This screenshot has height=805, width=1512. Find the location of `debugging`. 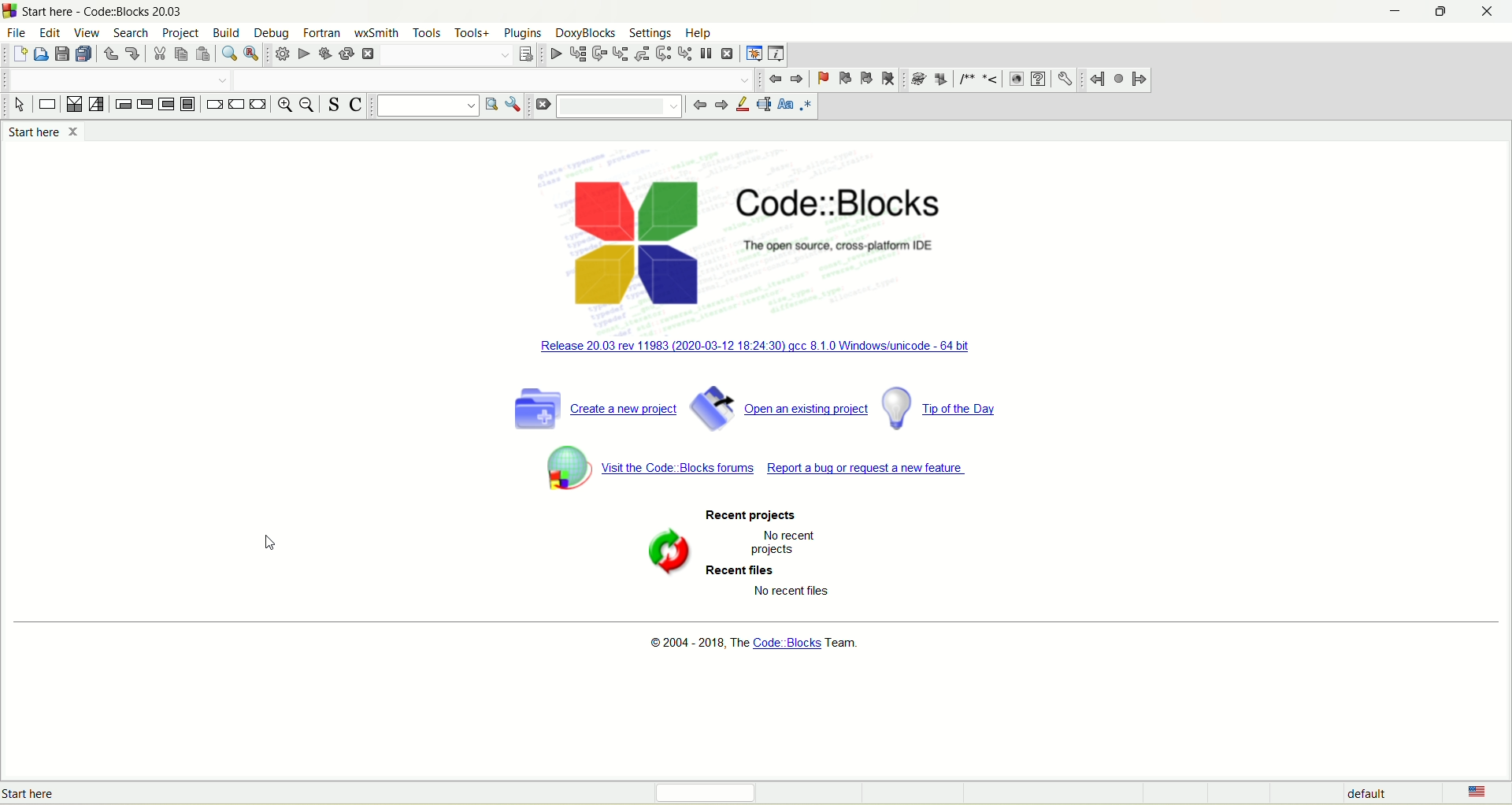

debugging is located at coordinates (754, 53).